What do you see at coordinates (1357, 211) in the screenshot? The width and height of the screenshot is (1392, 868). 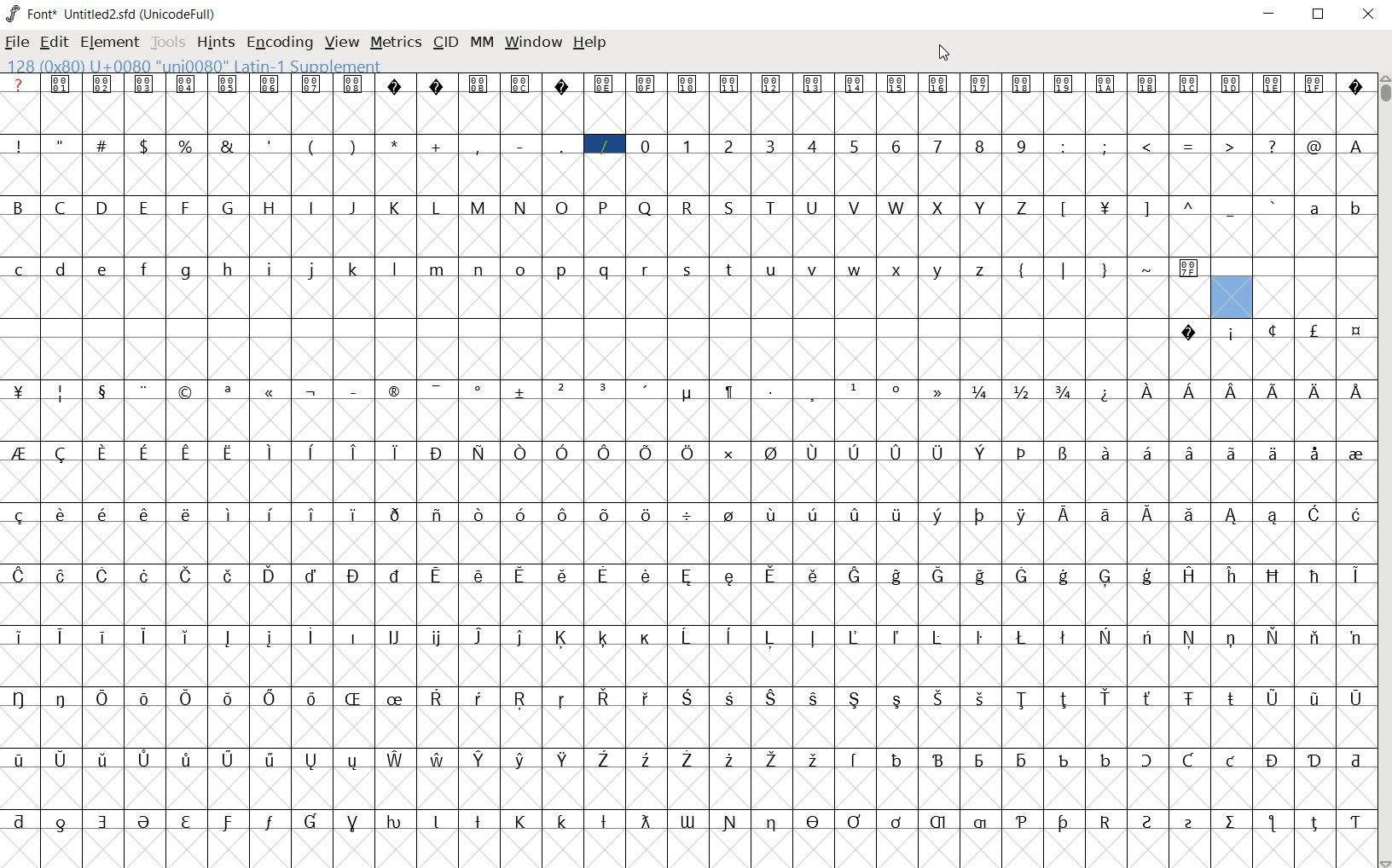 I see `glyph` at bounding box center [1357, 211].